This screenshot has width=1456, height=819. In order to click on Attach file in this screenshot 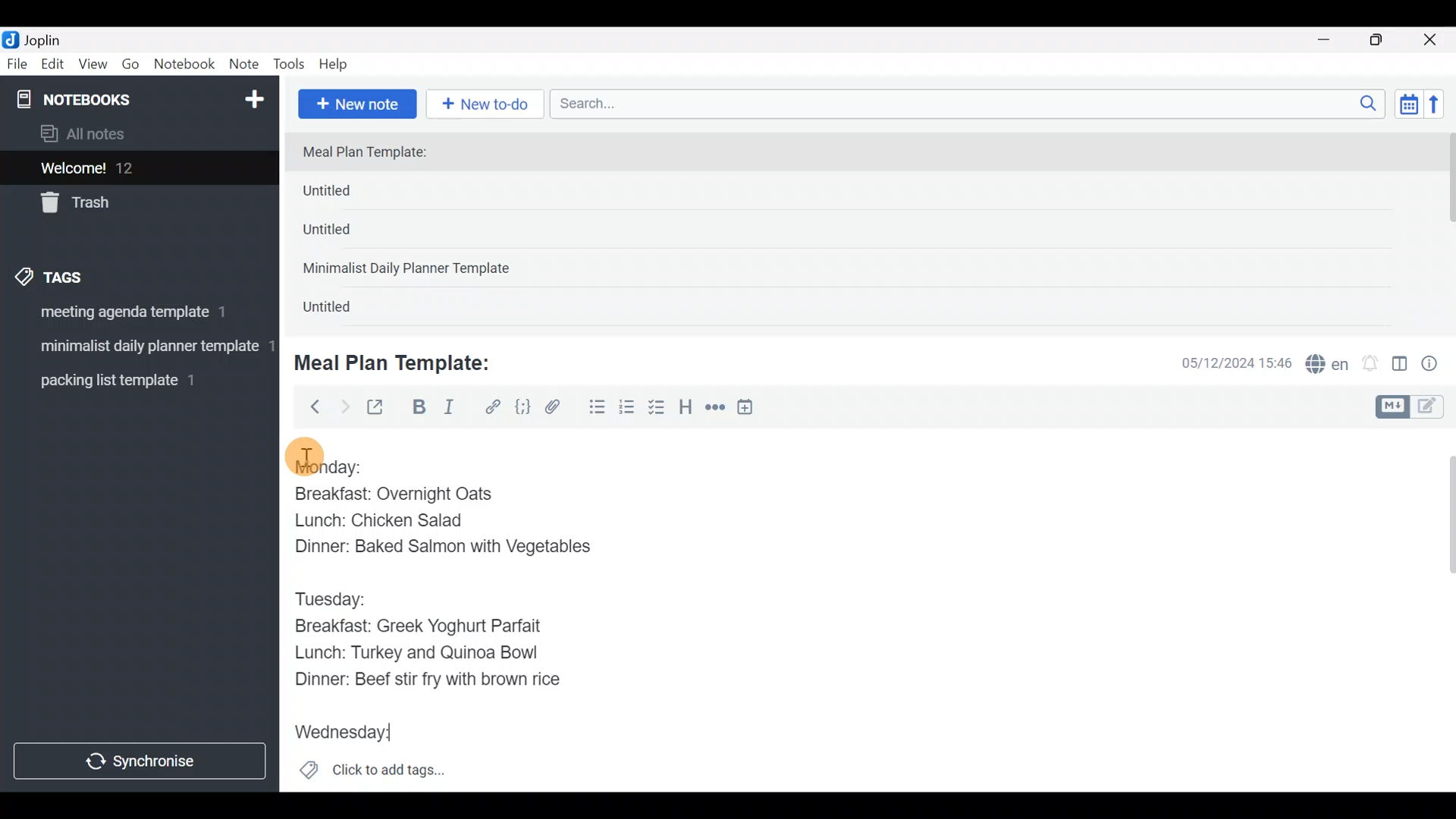, I will do `click(557, 409)`.